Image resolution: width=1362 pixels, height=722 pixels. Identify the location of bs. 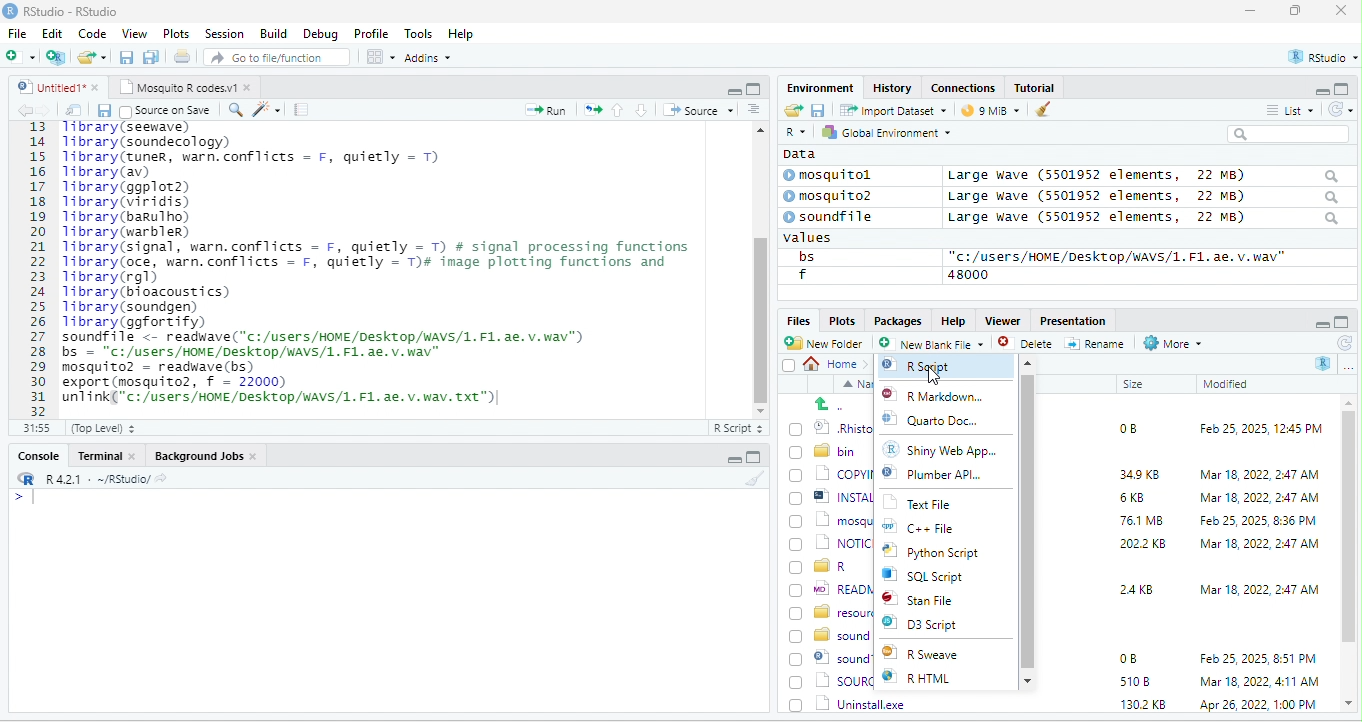
(803, 256).